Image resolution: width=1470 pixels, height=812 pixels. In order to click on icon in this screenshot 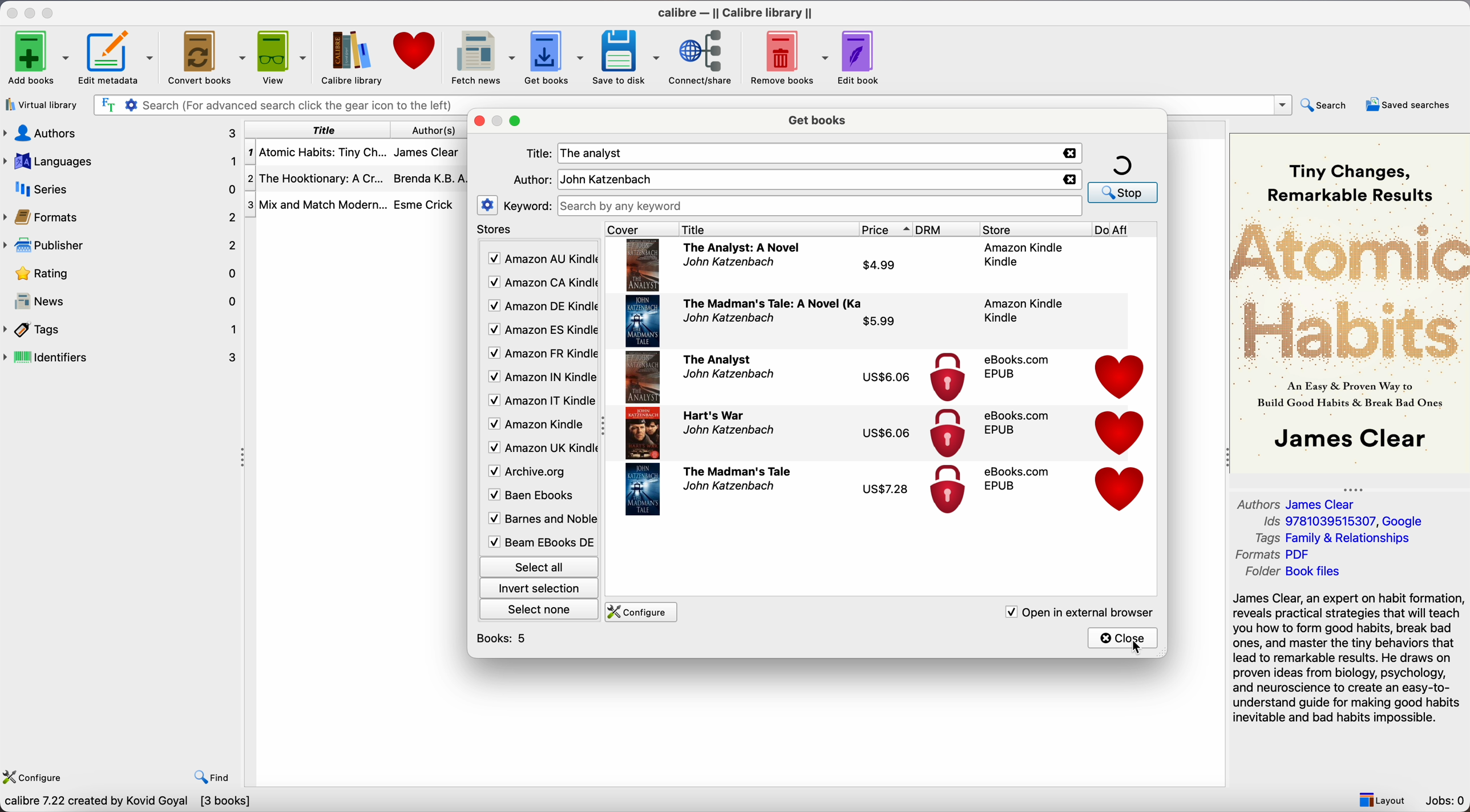, I will do `click(947, 377)`.